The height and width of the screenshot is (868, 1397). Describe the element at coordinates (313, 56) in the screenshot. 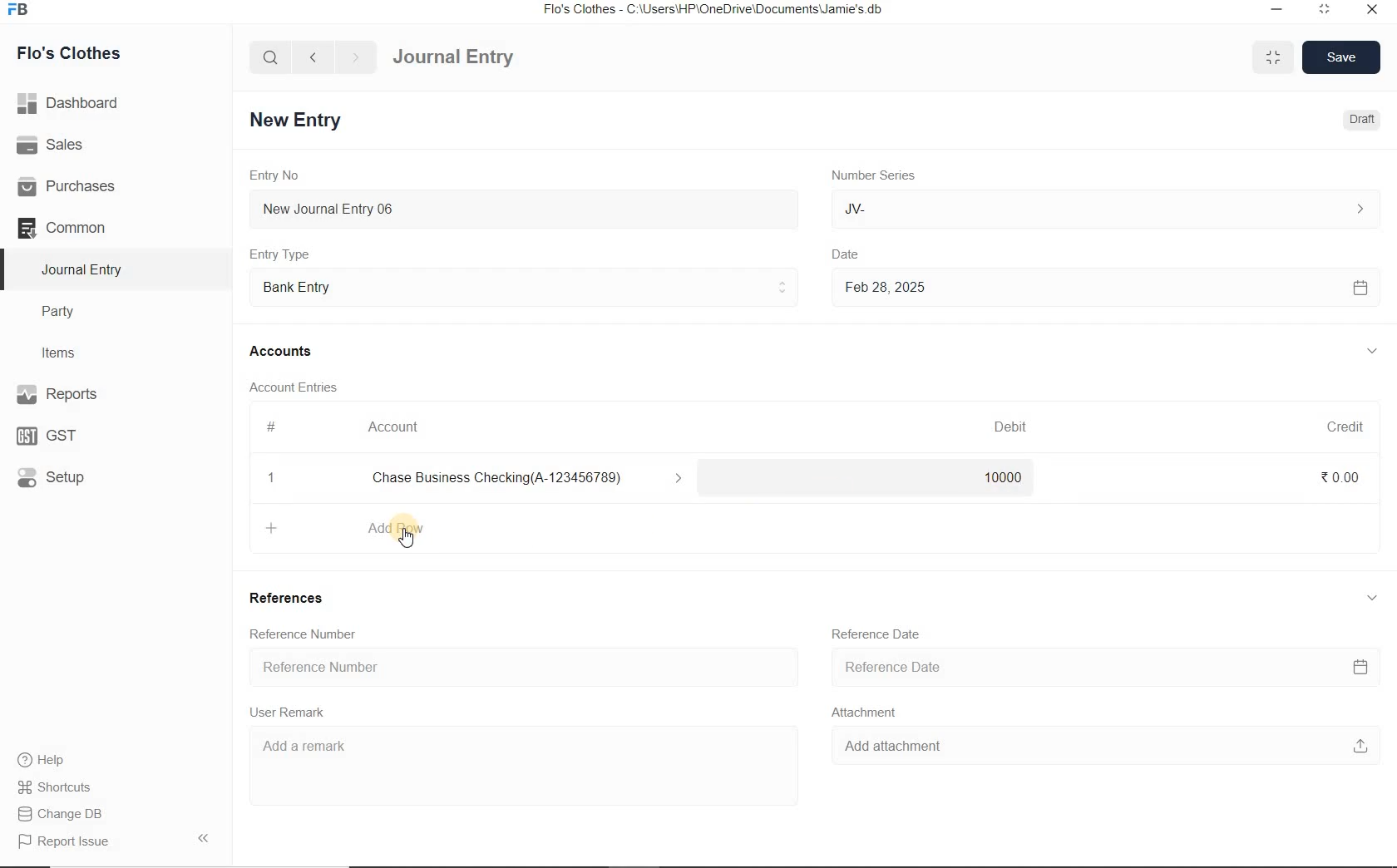

I see `back` at that location.